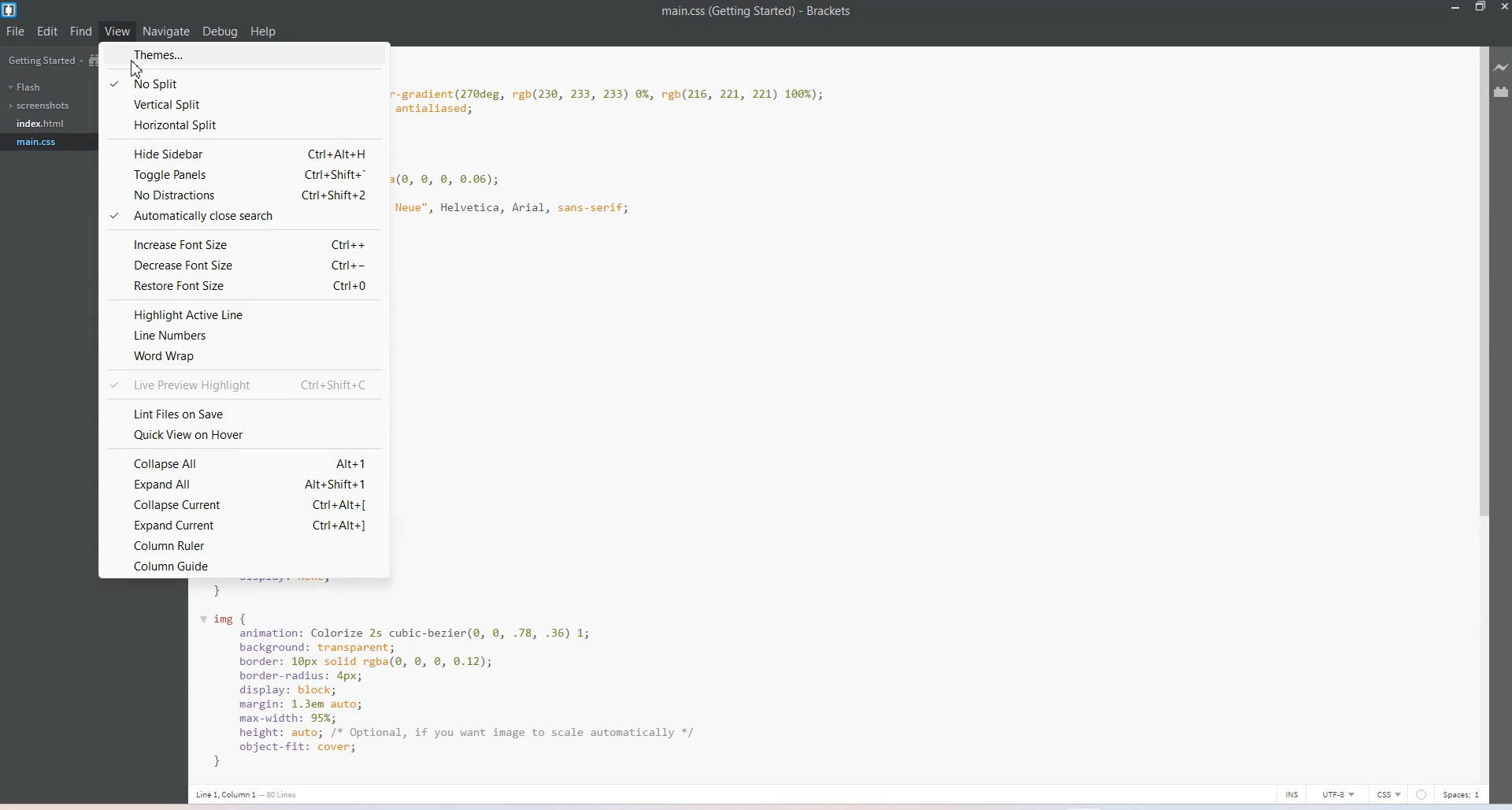  I want to click on Column Ruler, so click(243, 544).